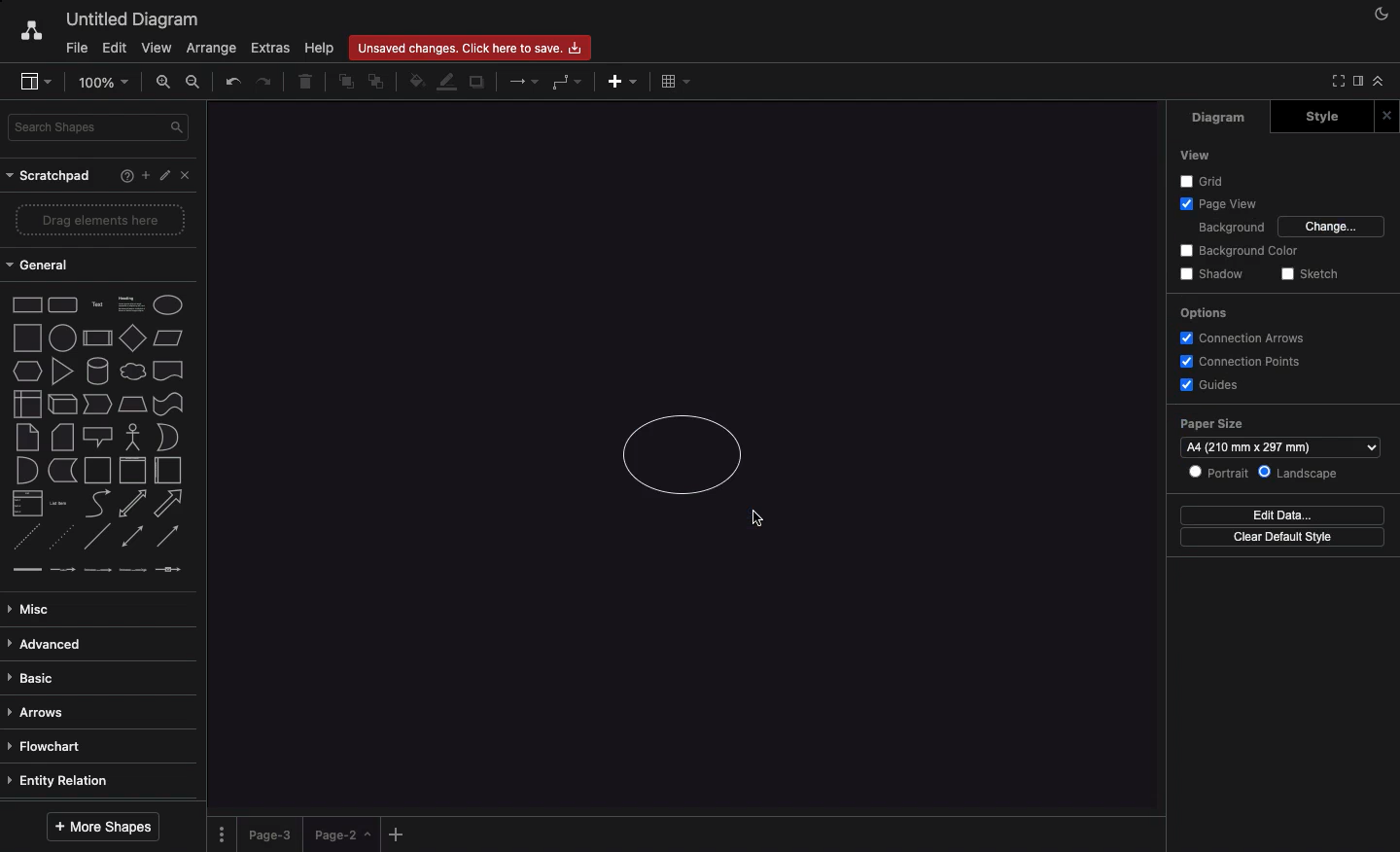 The height and width of the screenshot is (852, 1400). Describe the element at coordinates (1240, 337) in the screenshot. I see `Connection arrows` at that location.